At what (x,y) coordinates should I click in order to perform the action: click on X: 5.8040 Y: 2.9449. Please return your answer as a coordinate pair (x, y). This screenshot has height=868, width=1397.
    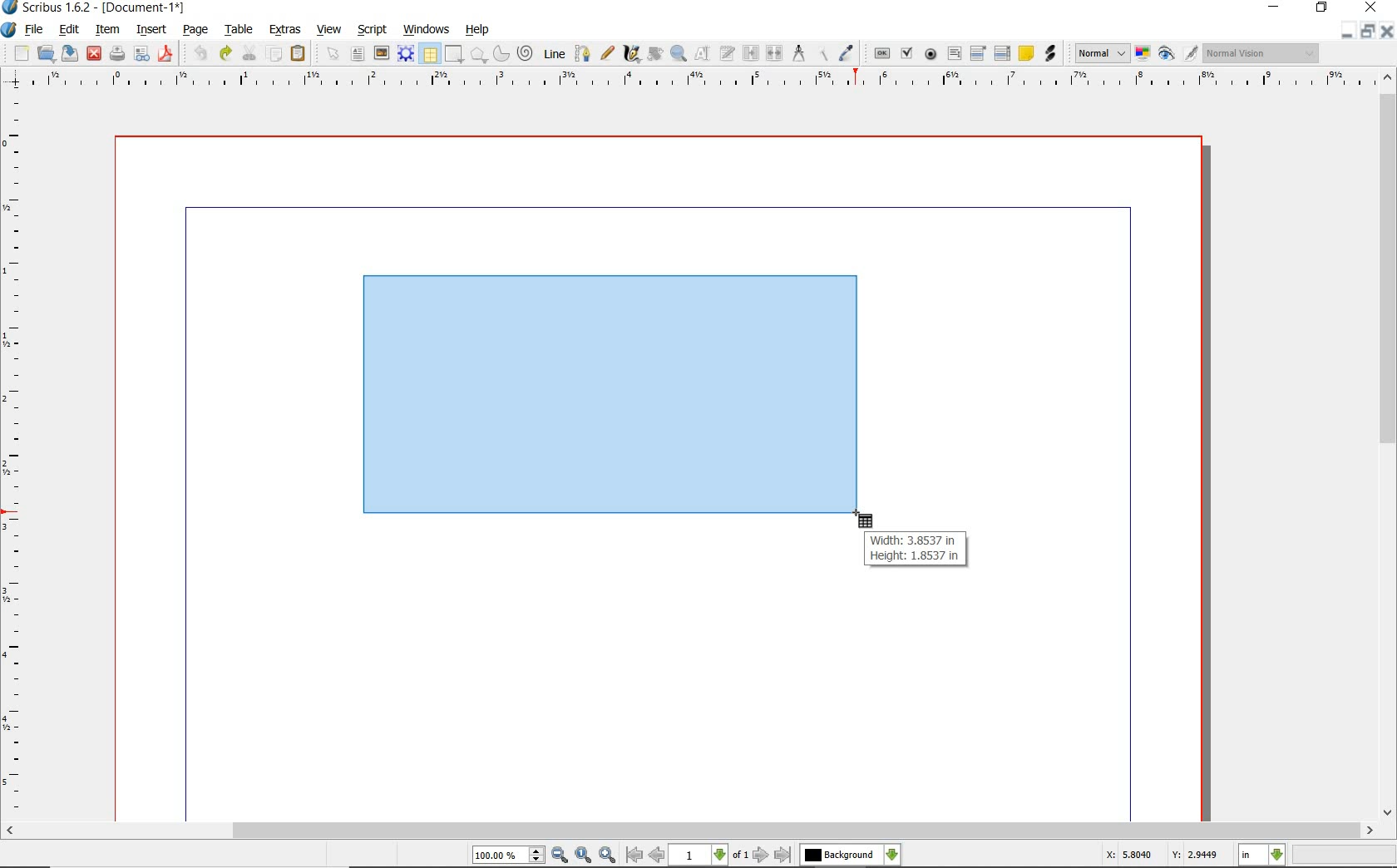
    Looking at the image, I should click on (1161, 856).